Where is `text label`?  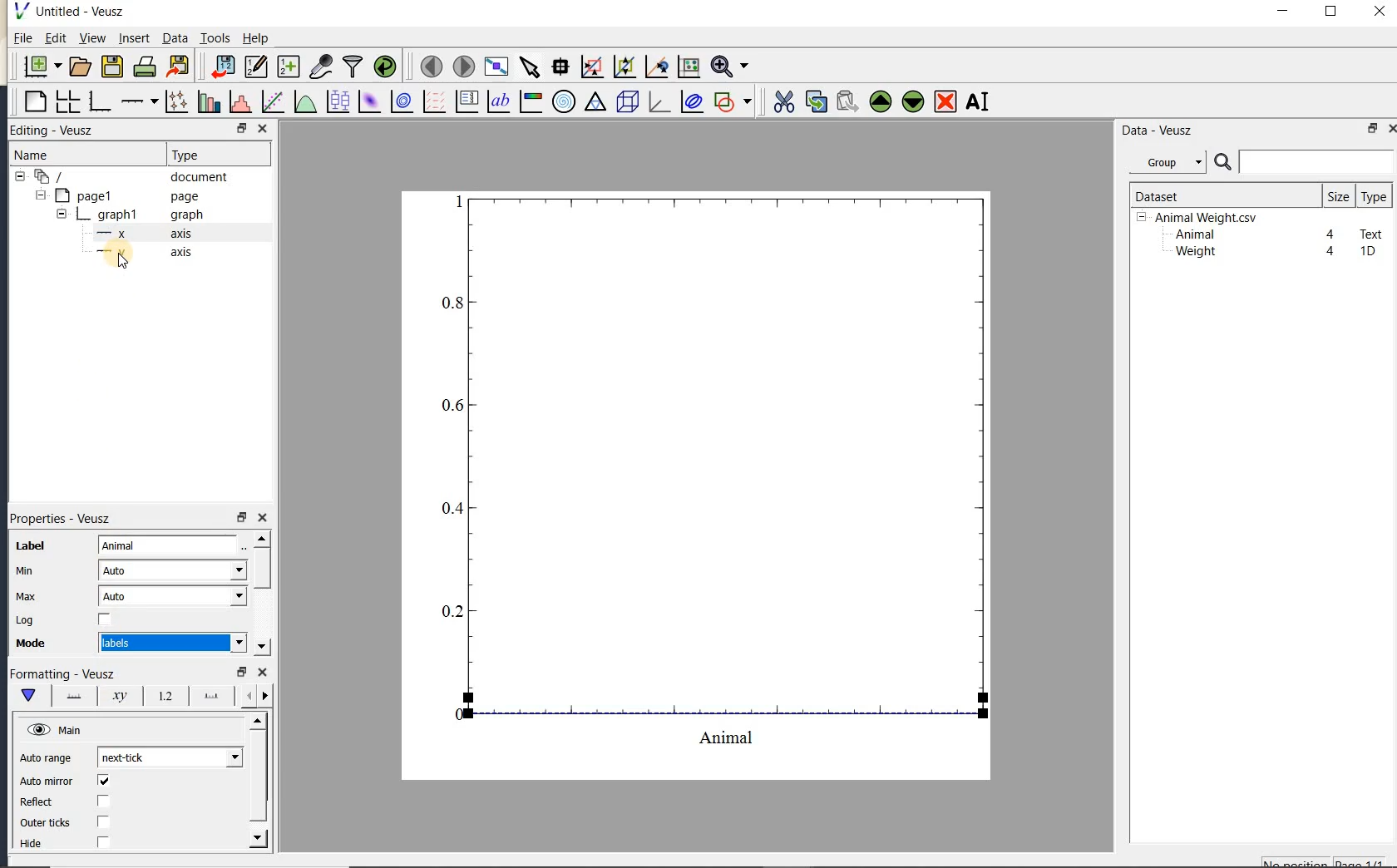 text label is located at coordinates (498, 103).